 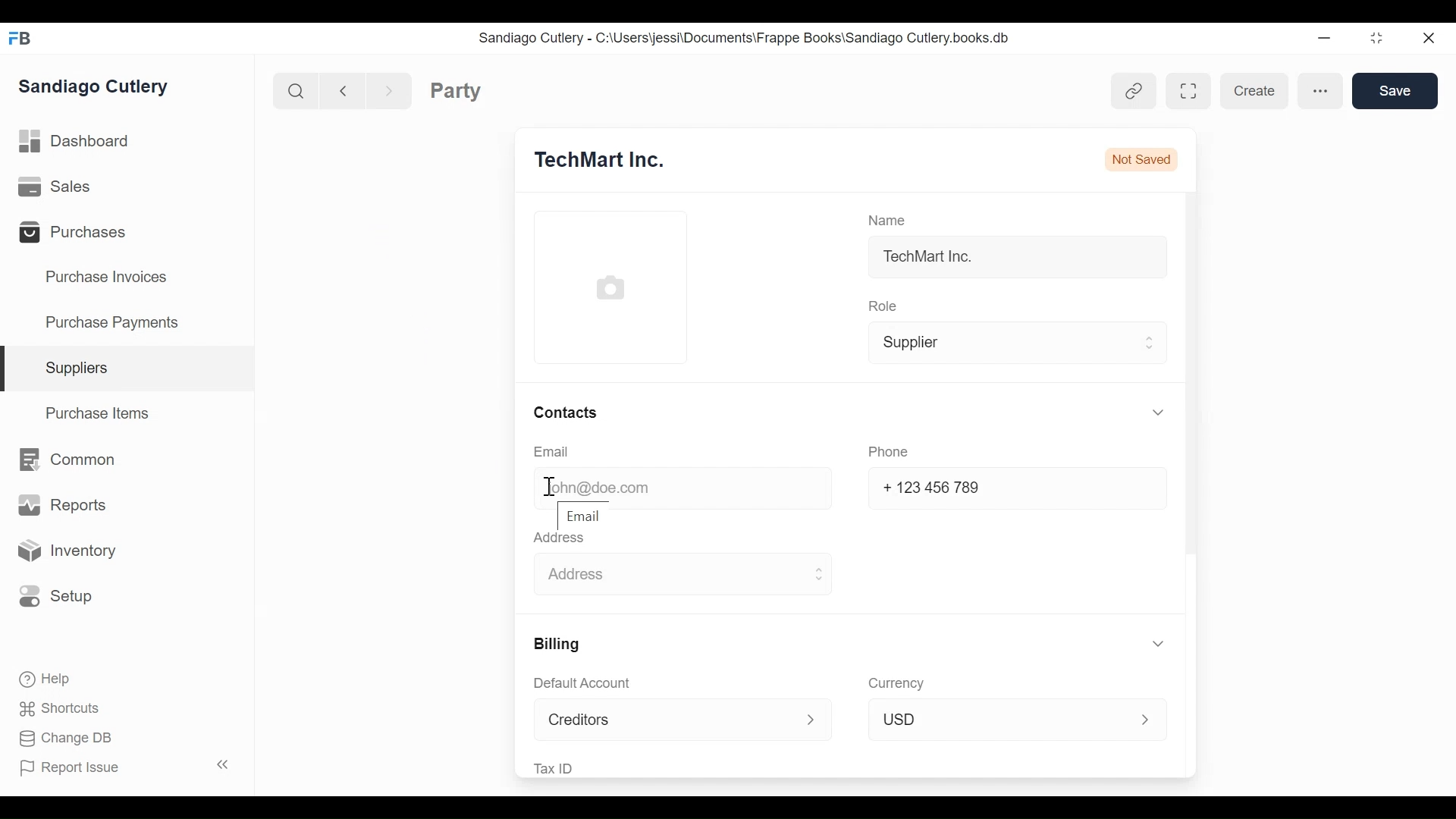 What do you see at coordinates (82, 368) in the screenshot?
I see `Supplies` at bounding box center [82, 368].